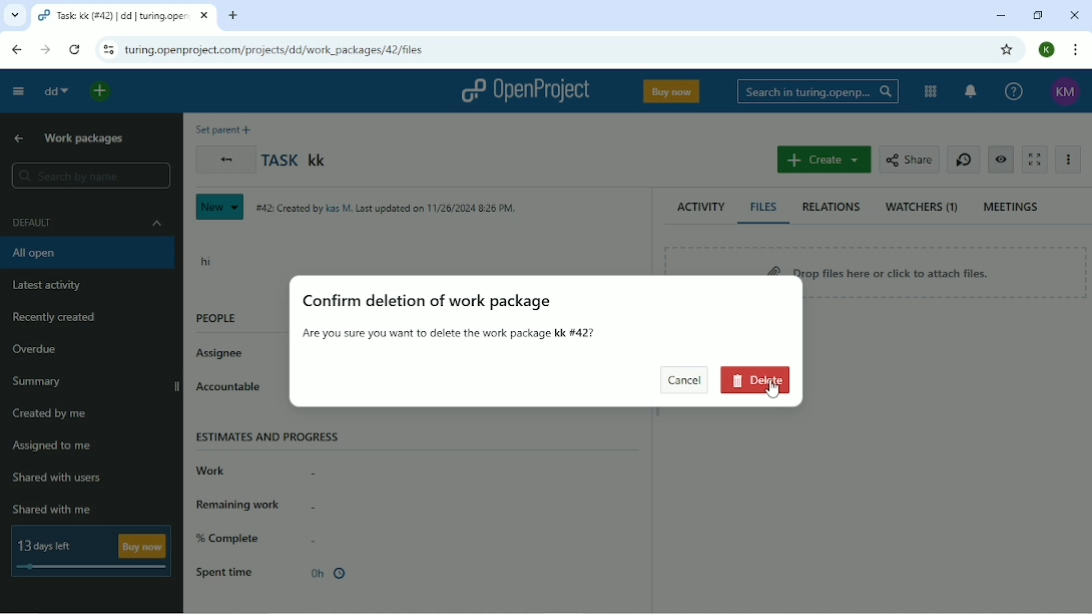  What do you see at coordinates (234, 17) in the screenshot?
I see `New tab` at bounding box center [234, 17].